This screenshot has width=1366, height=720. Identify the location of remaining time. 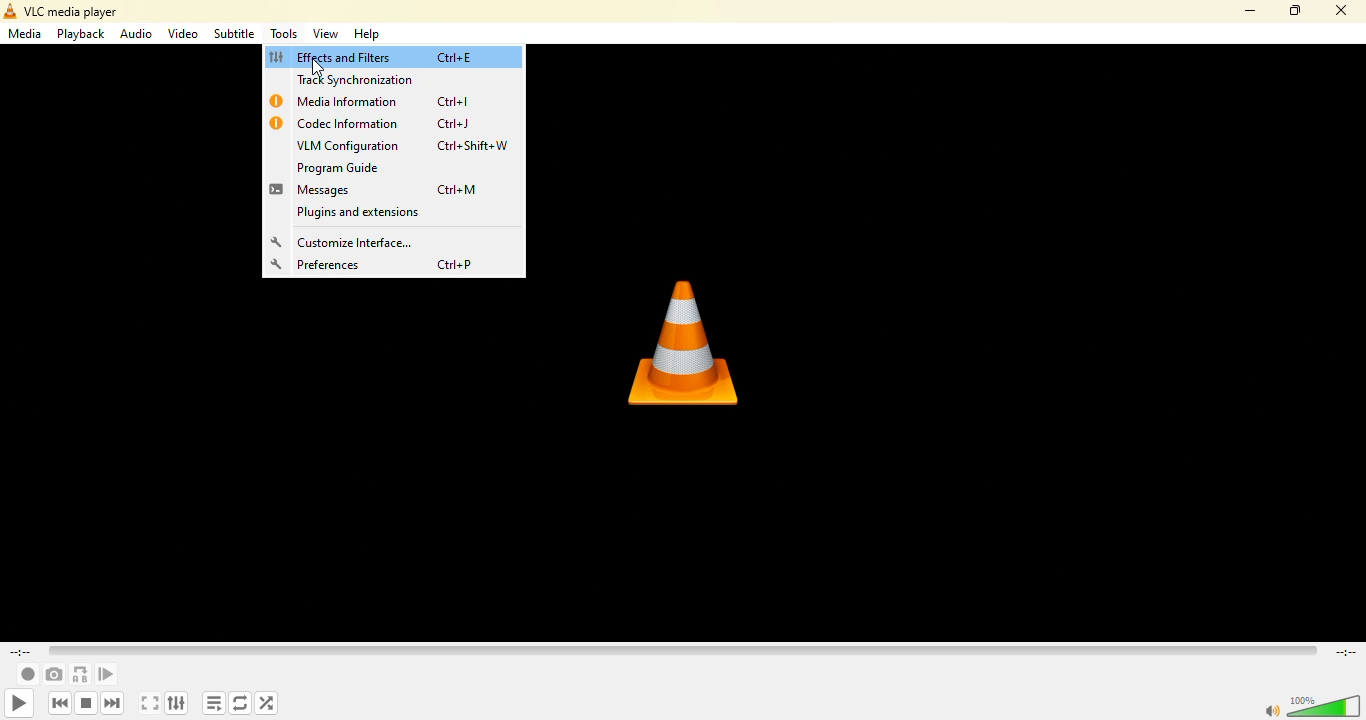
(1346, 653).